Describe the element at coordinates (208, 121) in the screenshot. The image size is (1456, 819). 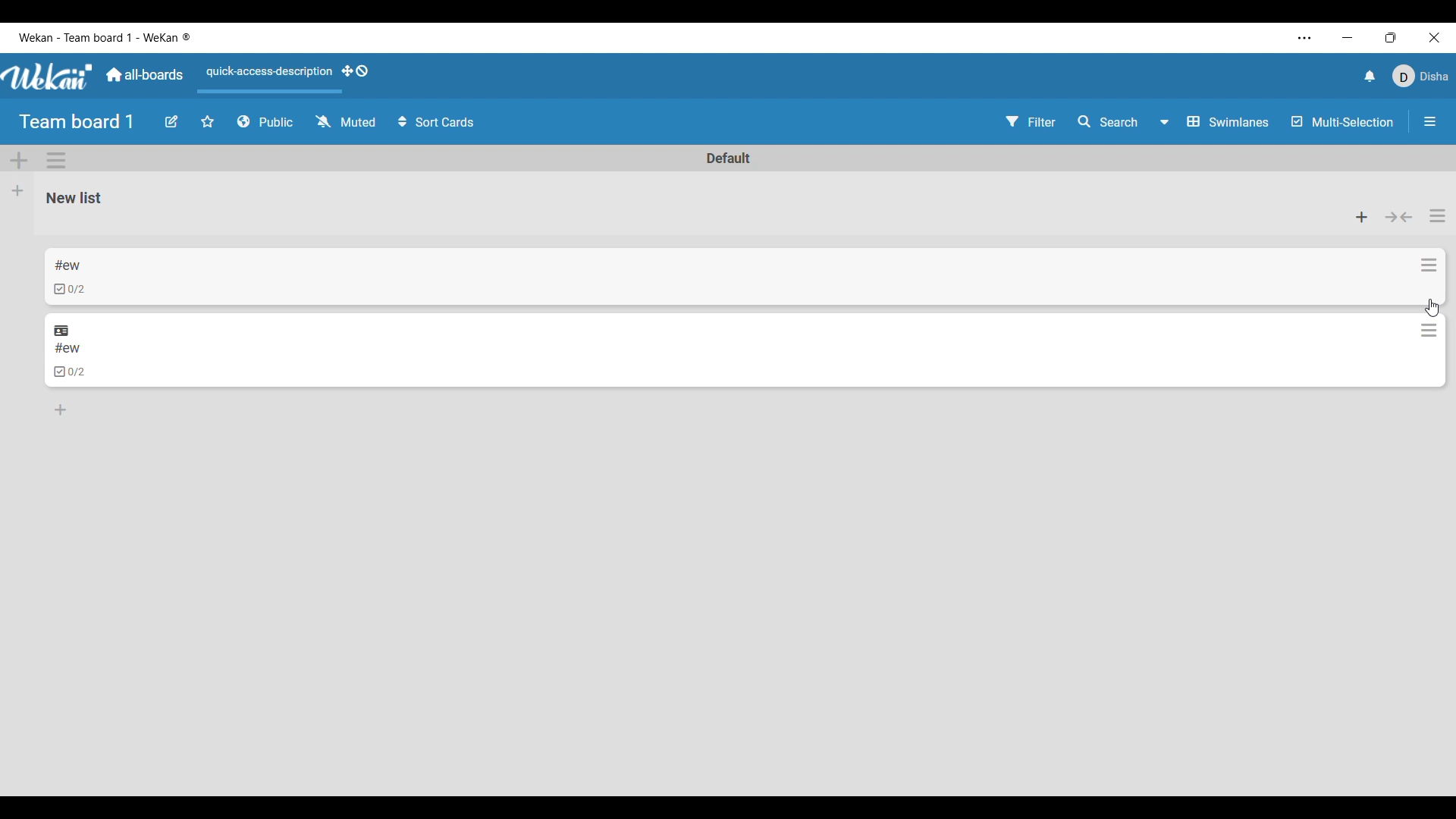
I see `Star board` at that location.